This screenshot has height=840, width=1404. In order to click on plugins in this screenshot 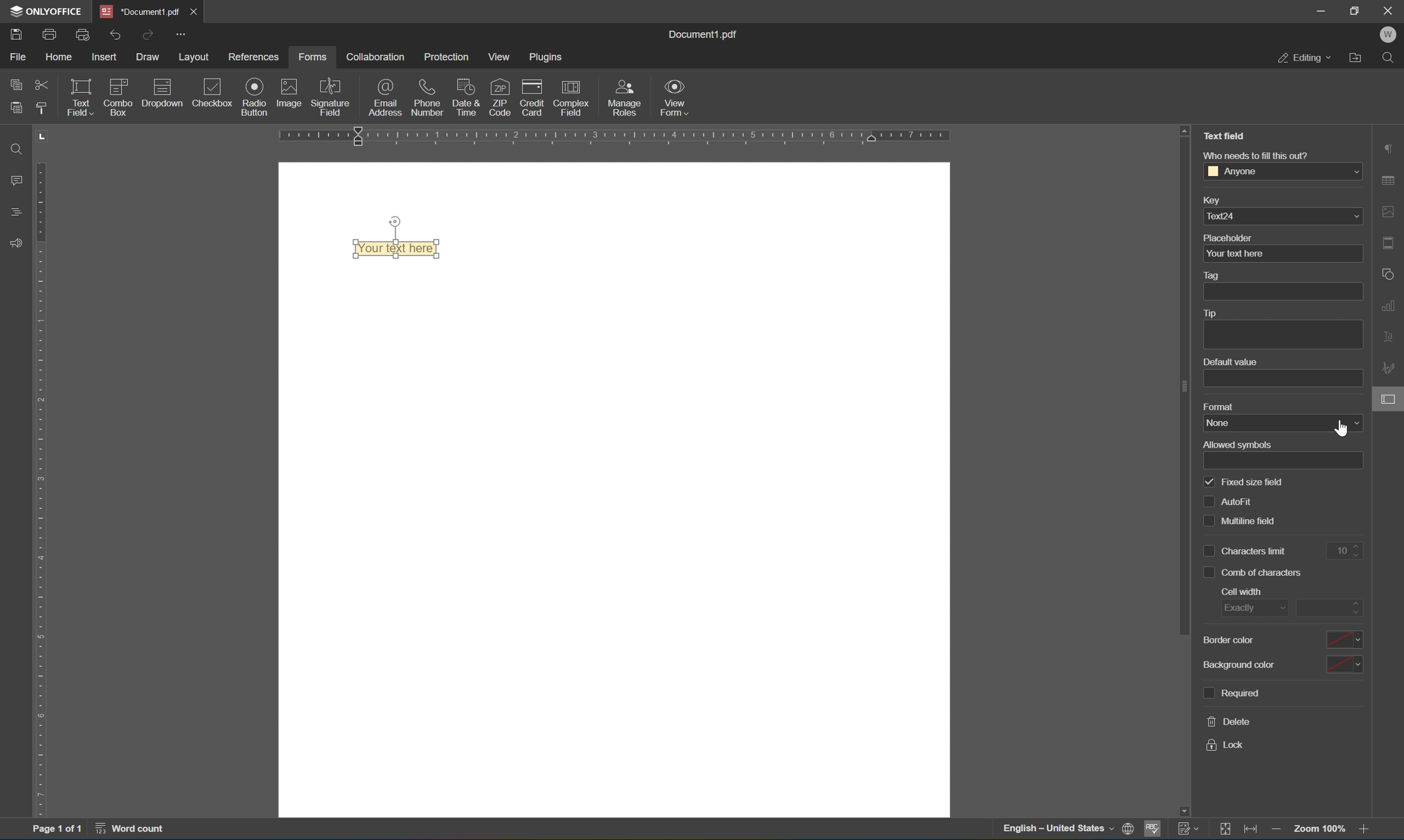, I will do `click(547, 57)`.